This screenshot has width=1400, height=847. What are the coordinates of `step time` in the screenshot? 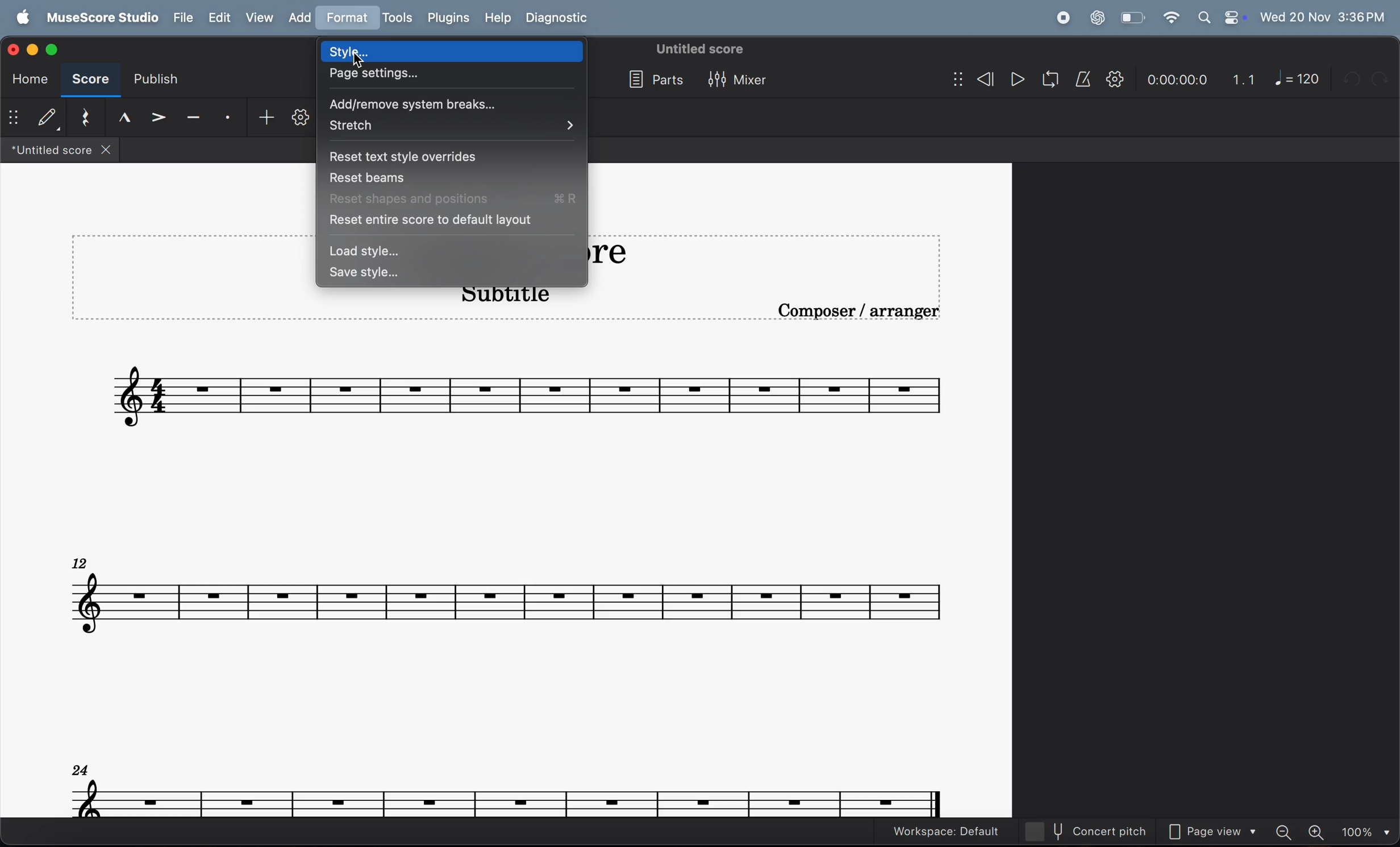 It's located at (34, 118).